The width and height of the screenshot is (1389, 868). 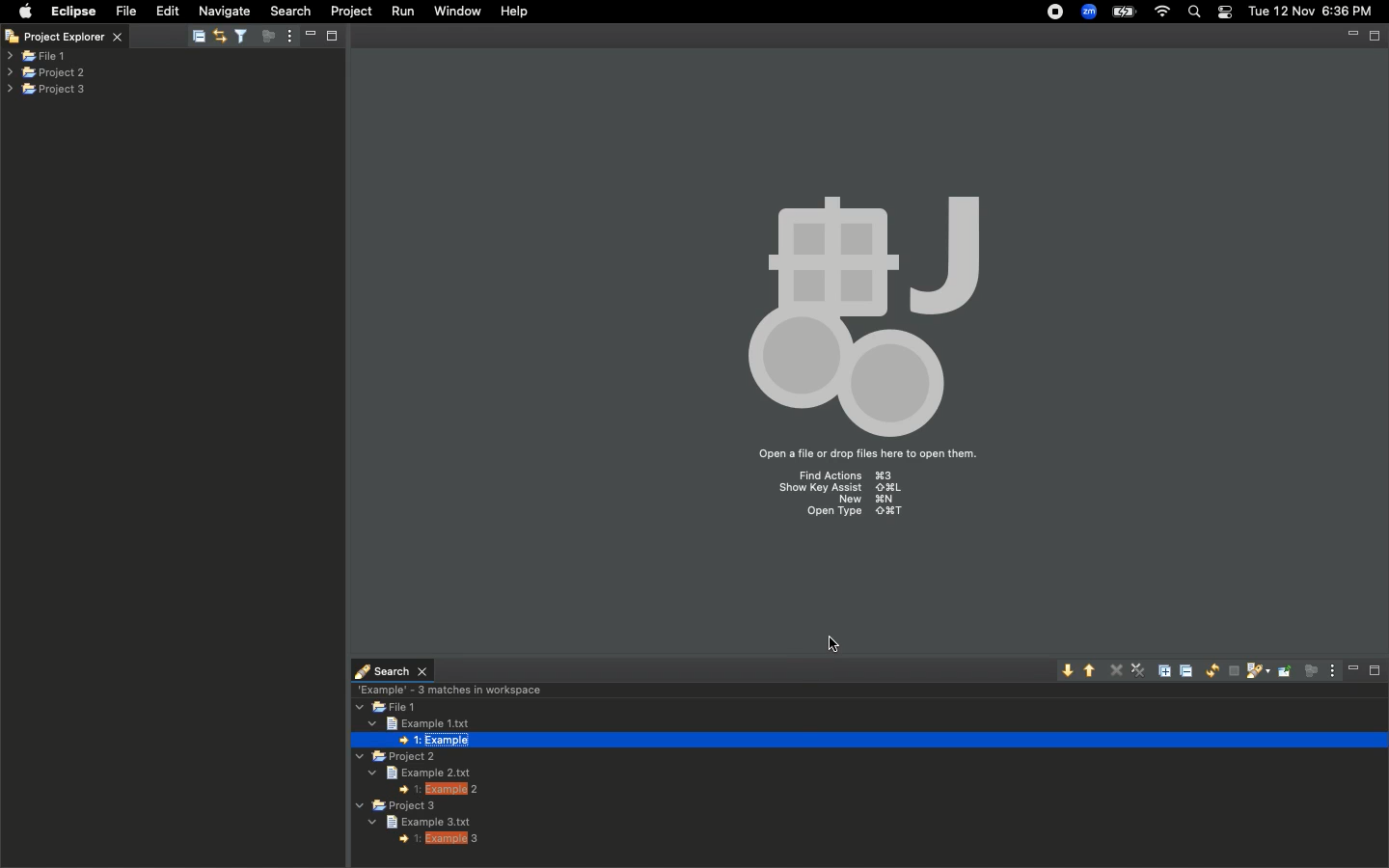 I want to click on Icon, so click(x=858, y=307).